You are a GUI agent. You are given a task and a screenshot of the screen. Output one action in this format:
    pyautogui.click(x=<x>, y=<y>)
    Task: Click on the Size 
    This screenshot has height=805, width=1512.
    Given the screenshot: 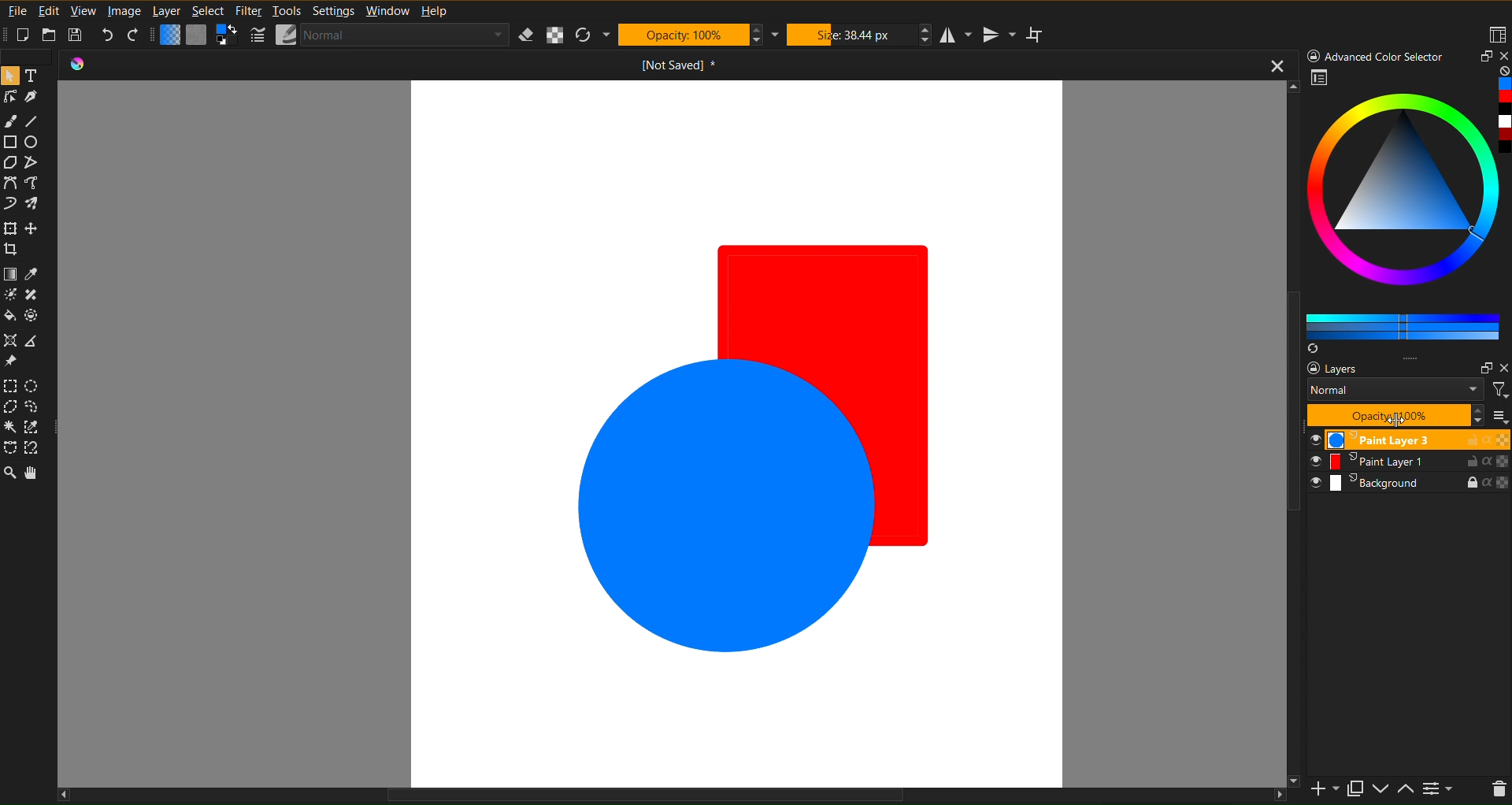 What is the action you would take?
    pyautogui.click(x=850, y=35)
    